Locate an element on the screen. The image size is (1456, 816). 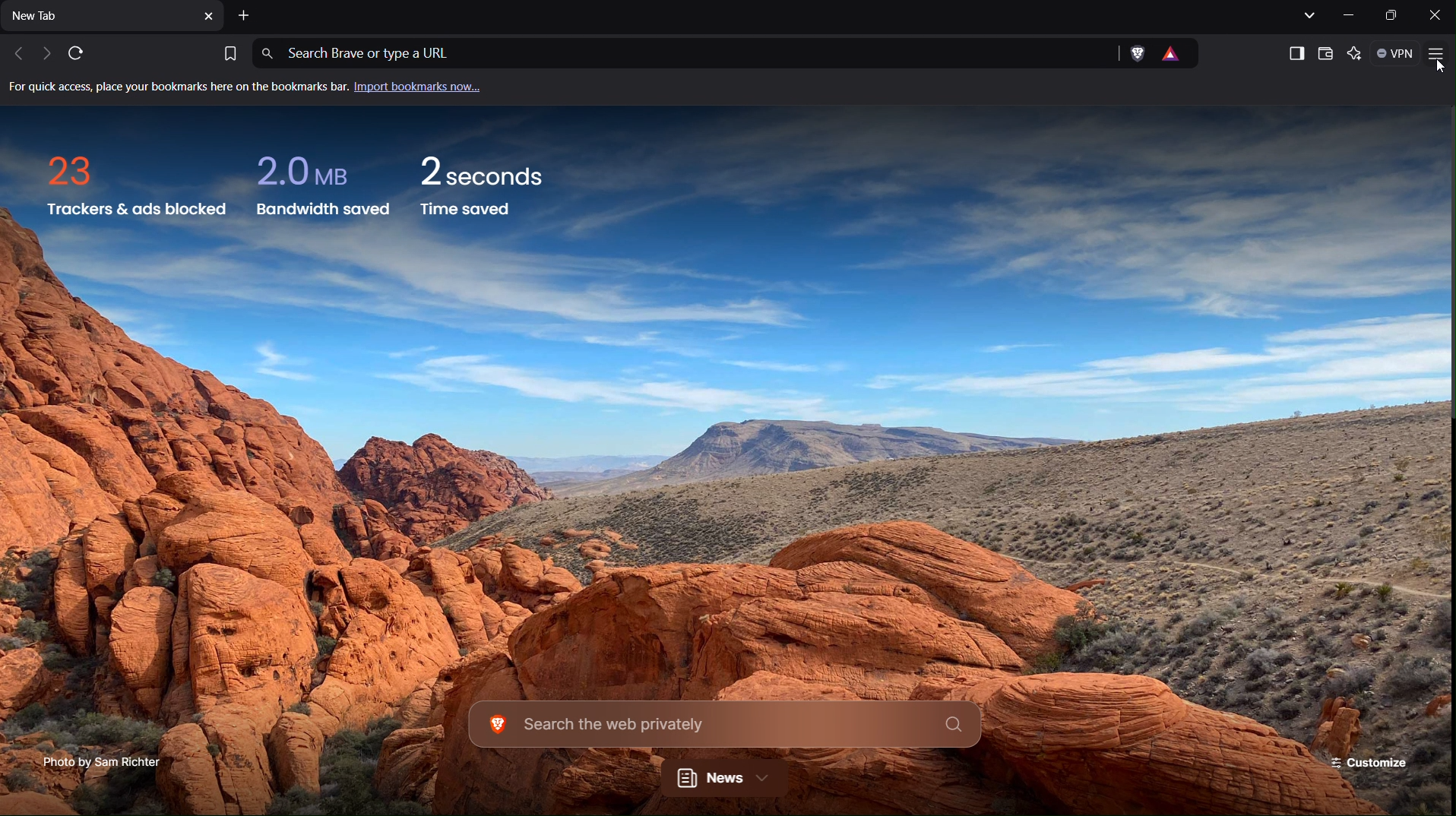
Photo Credit is located at coordinates (101, 762).